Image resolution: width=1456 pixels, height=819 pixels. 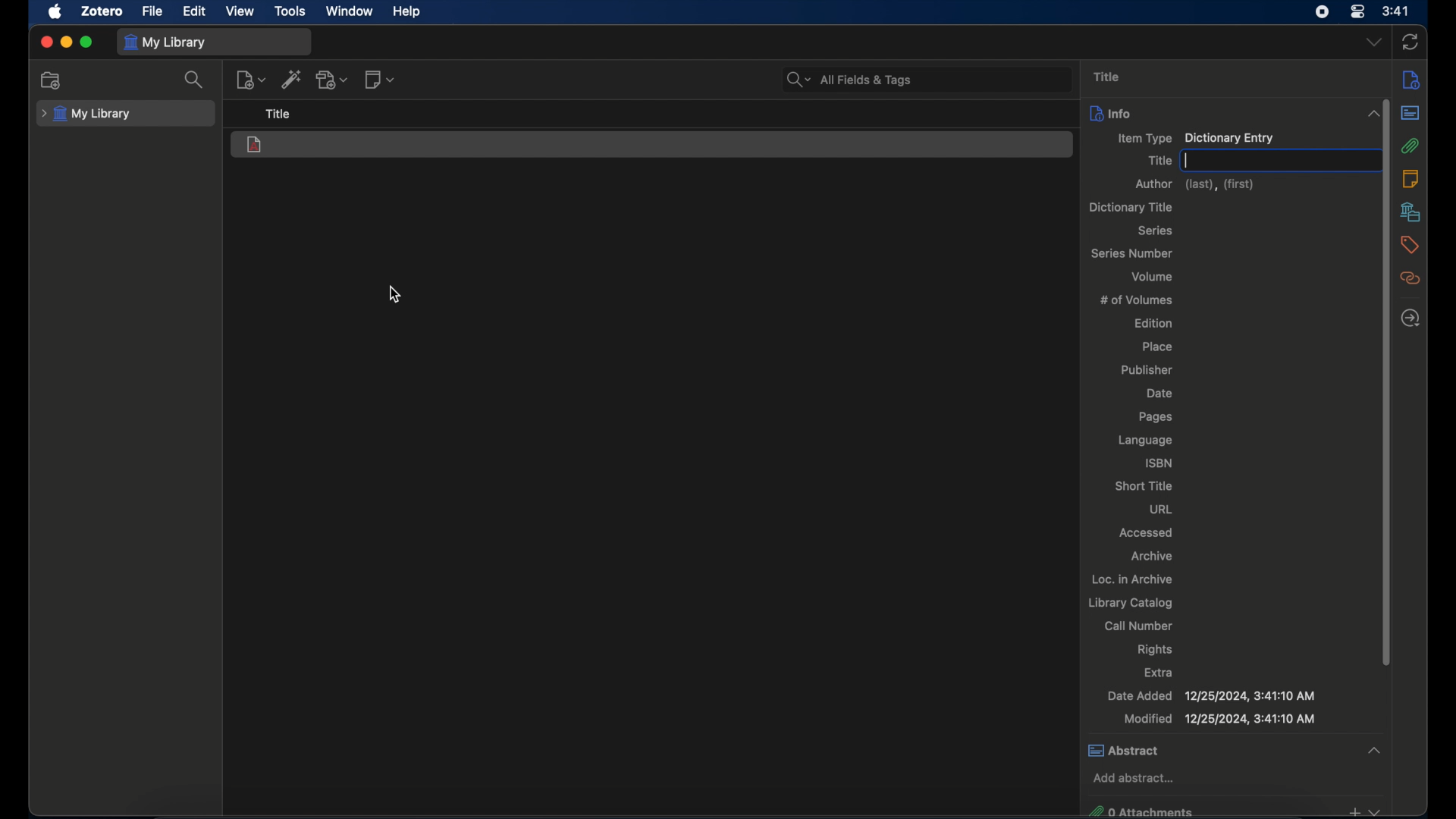 What do you see at coordinates (1411, 79) in the screenshot?
I see `info` at bounding box center [1411, 79].